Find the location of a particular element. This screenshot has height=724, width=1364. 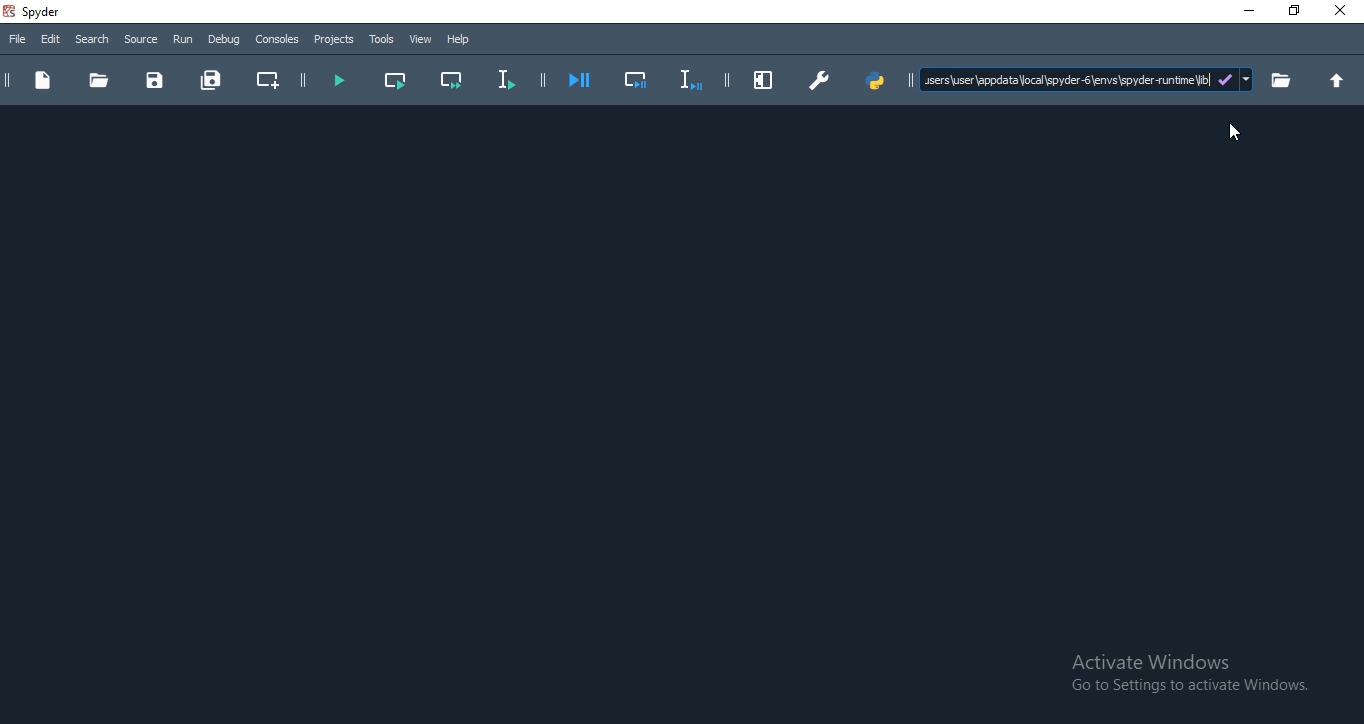

Source is located at coordinates (140, 40).